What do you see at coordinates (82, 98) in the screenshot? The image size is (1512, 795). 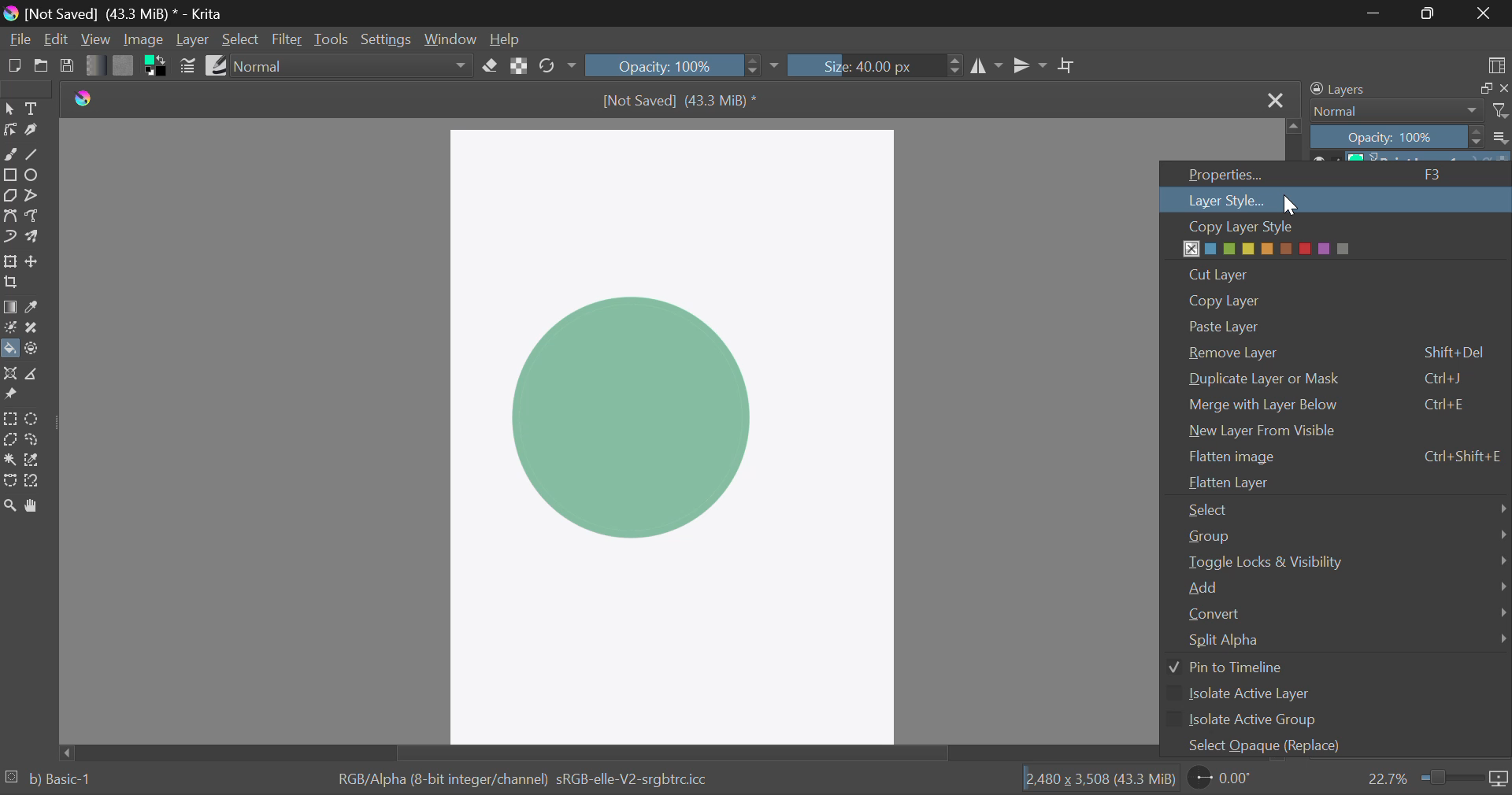 I see `logo` at bounding box center [82, 98].